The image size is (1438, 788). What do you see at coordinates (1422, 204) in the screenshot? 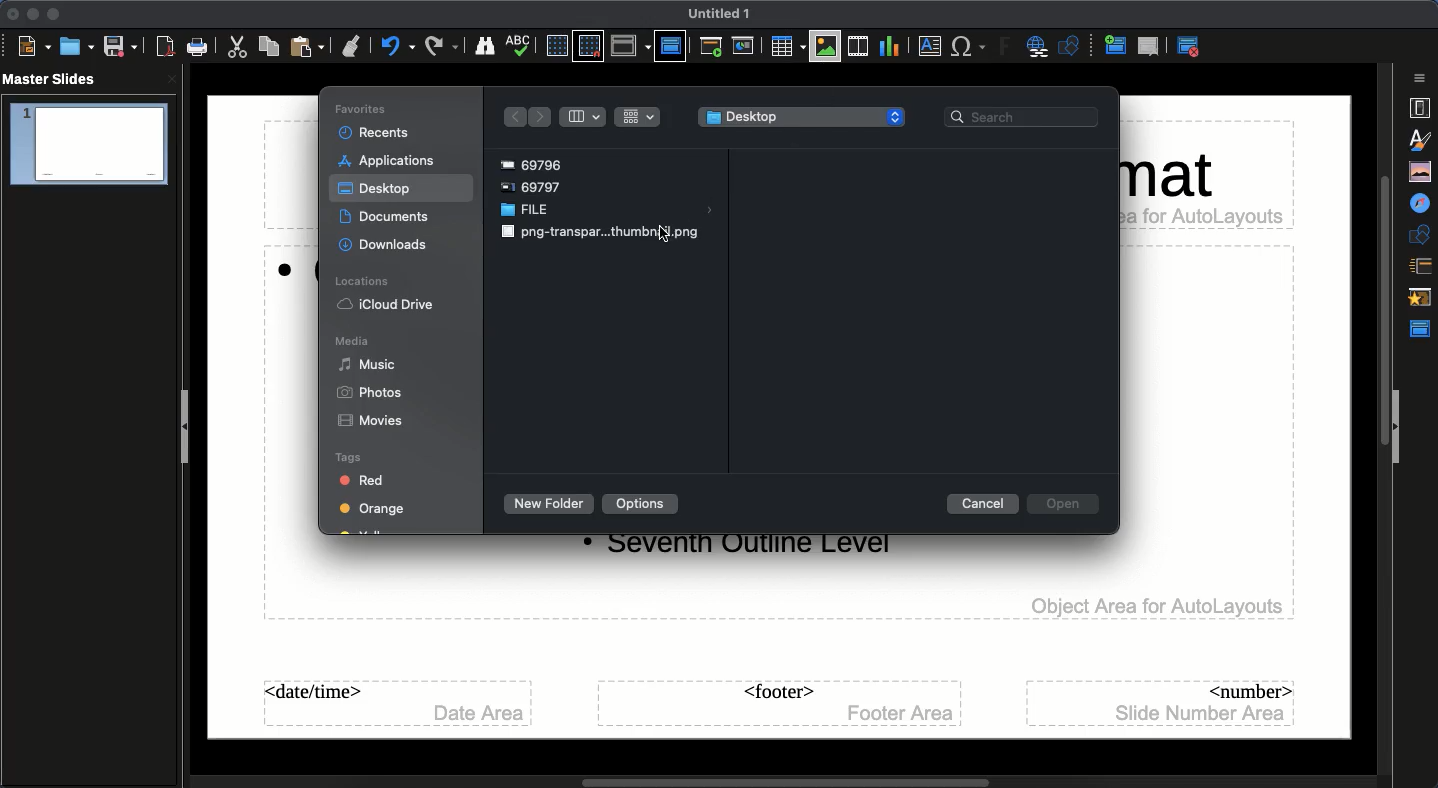
I see `Navigator` at bounding box center [1422, 204].